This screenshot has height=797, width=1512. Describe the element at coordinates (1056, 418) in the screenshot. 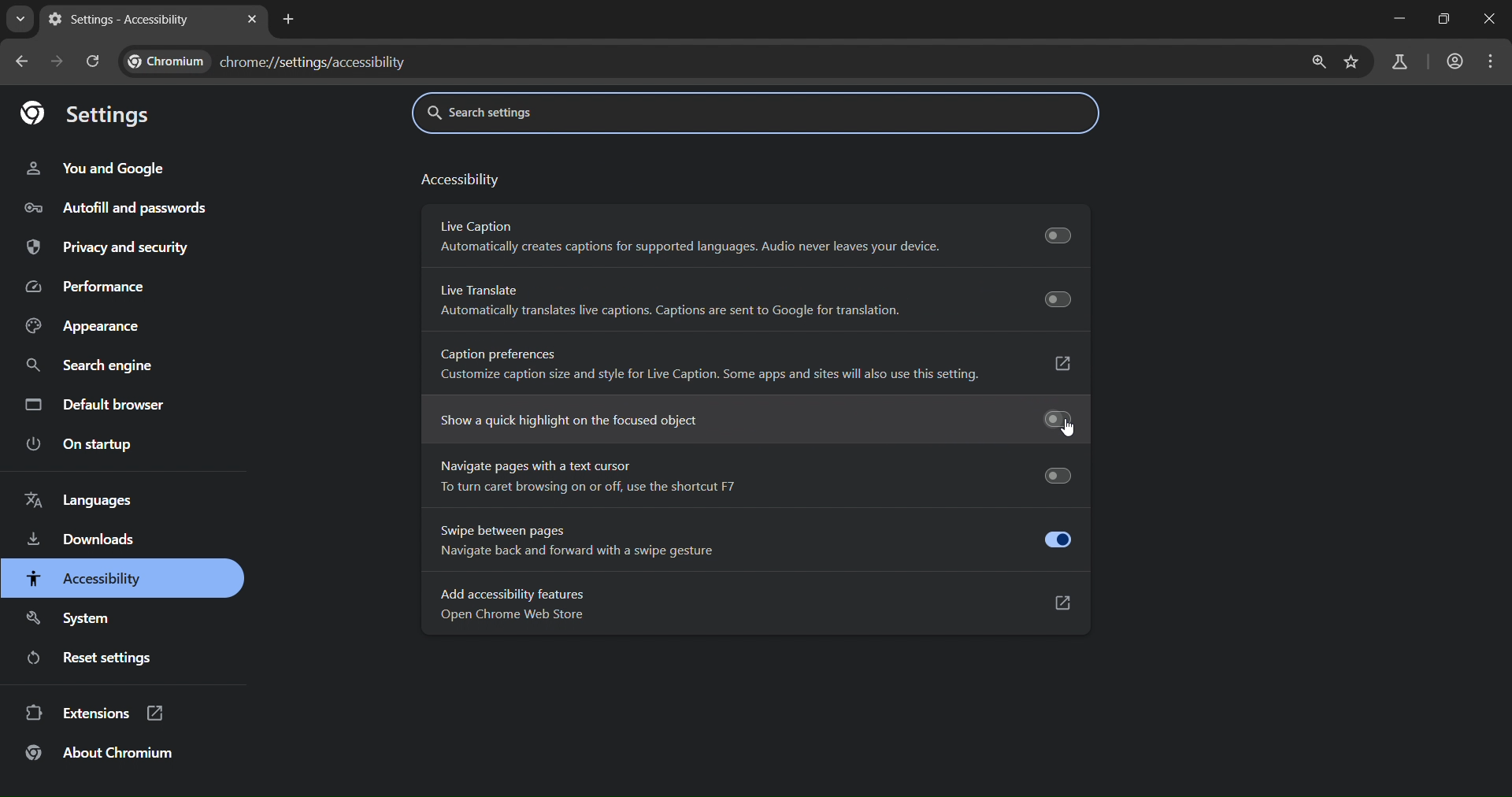

I see `Toggle` at that location.